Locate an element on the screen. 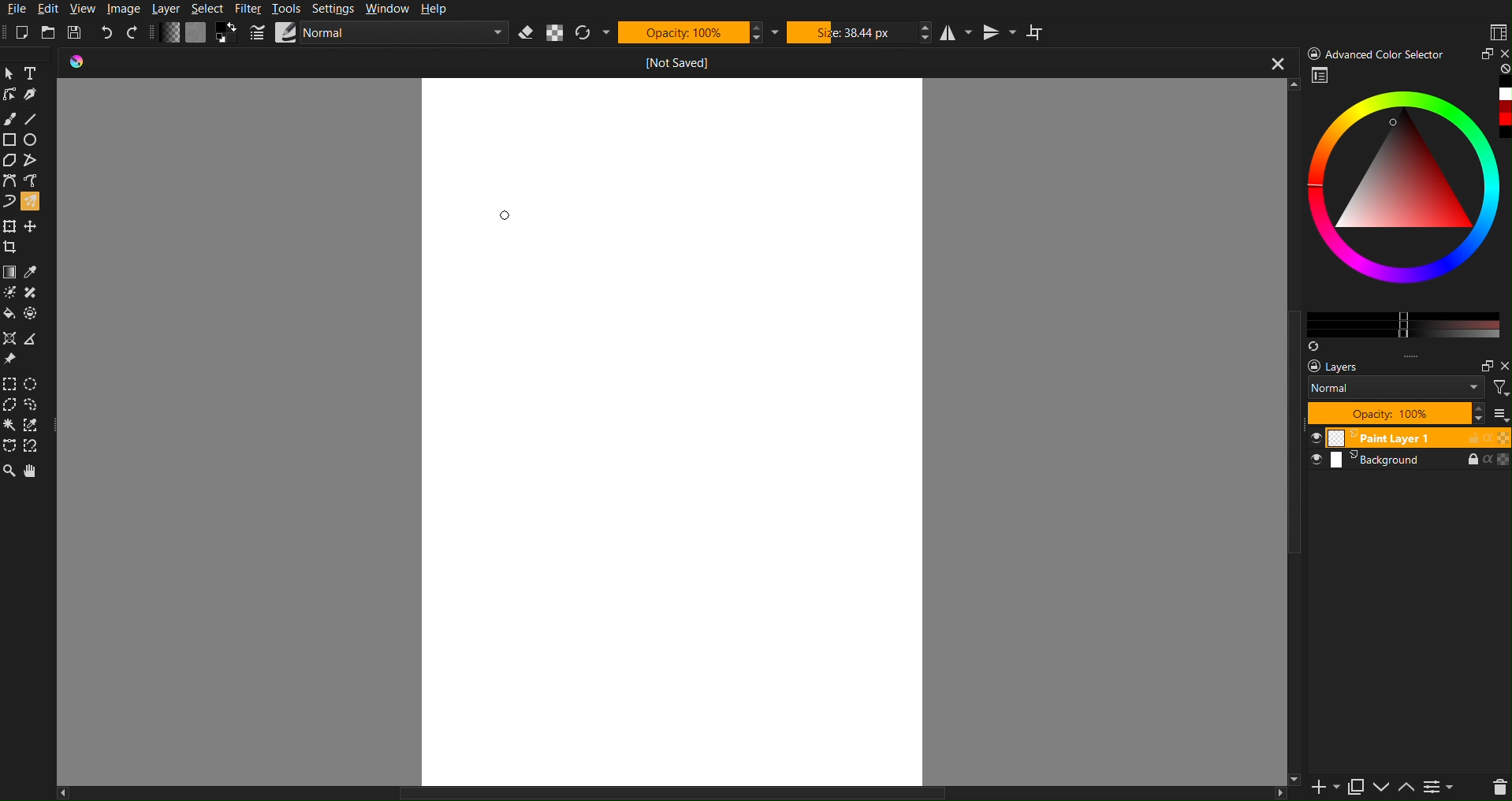  Brush Options is located at coordinates (404, 35).